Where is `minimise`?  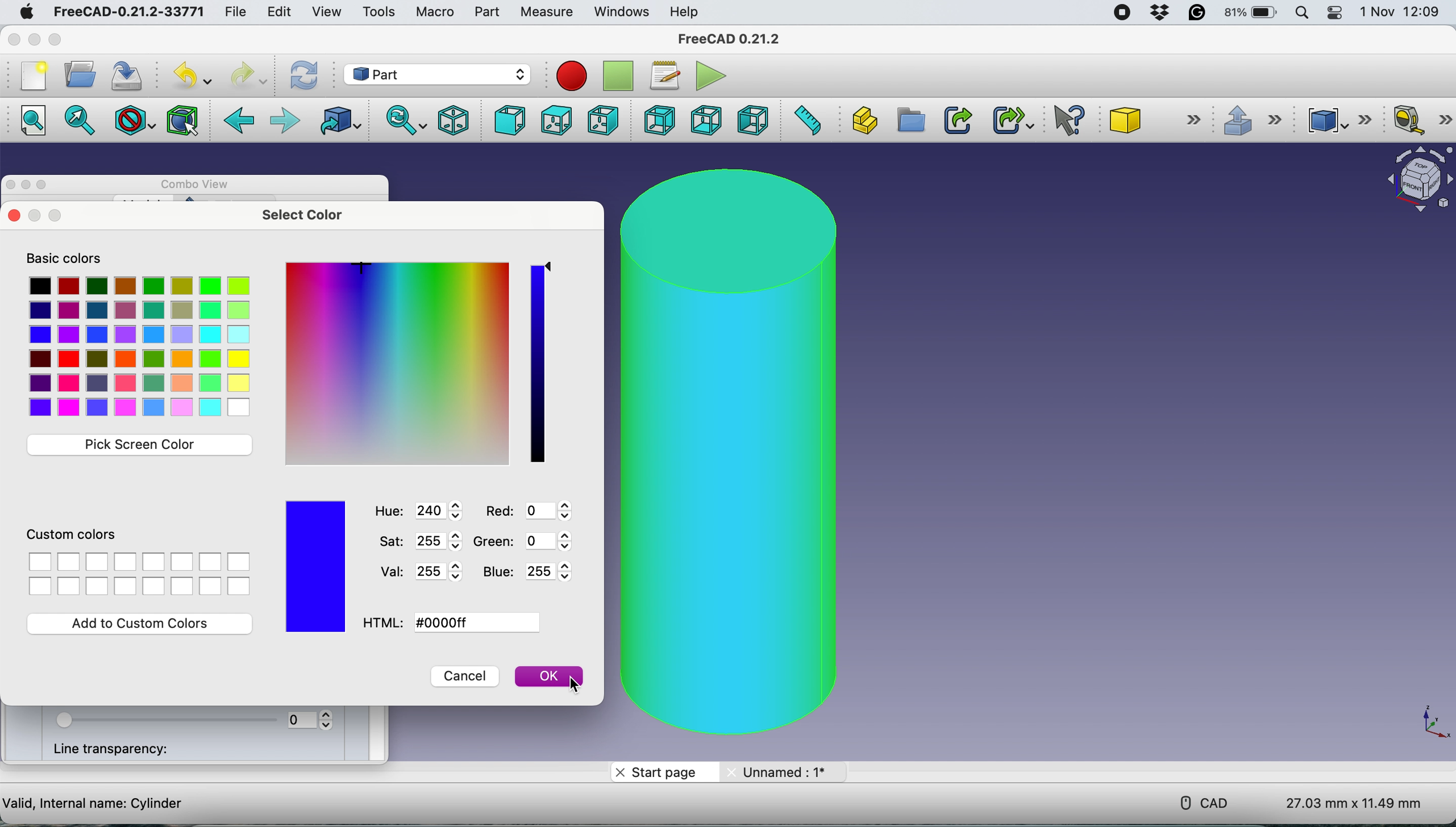 minimise is located at coordinates (38, 45).